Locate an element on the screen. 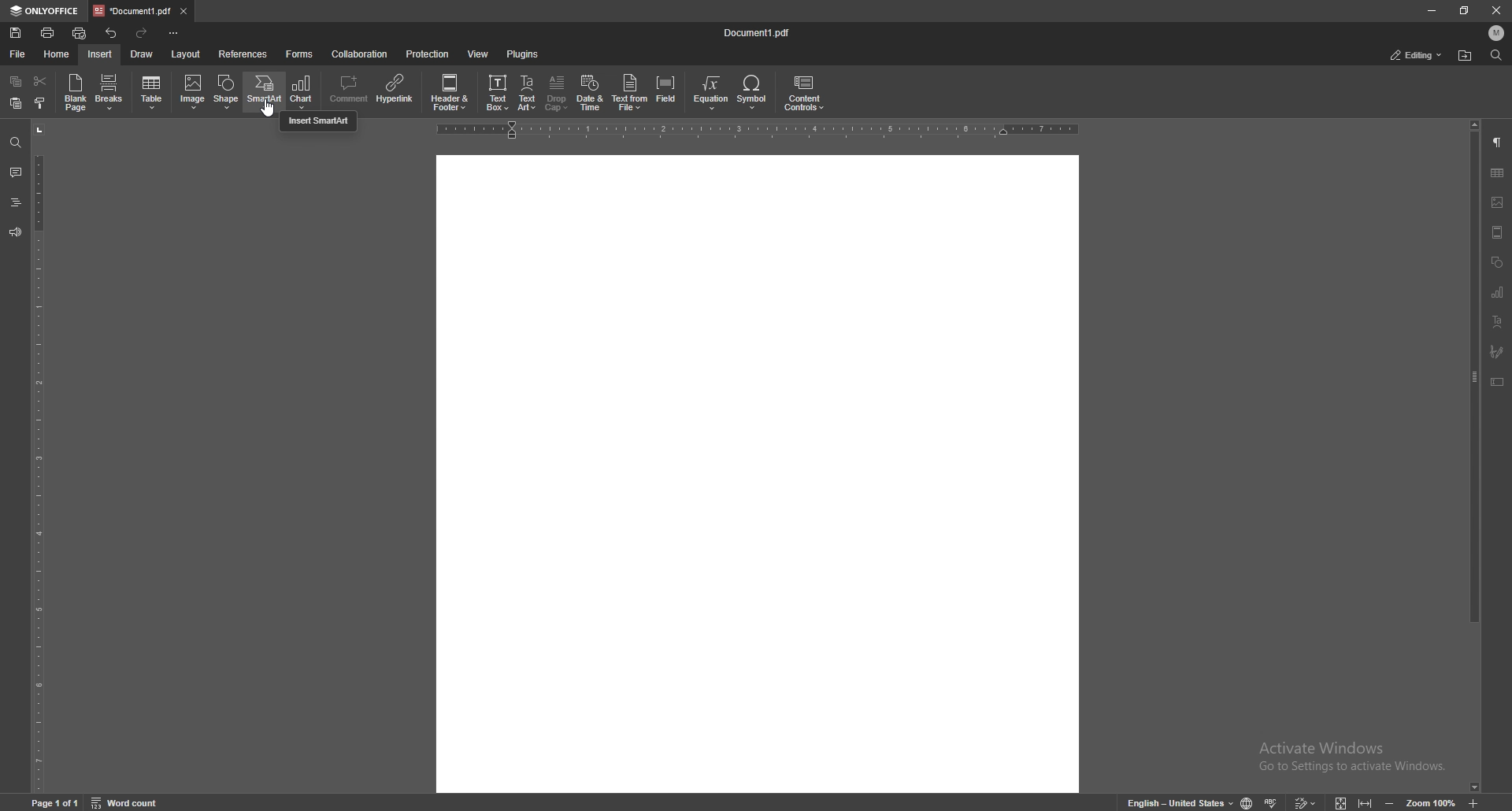 The width and height of the screenshot is (1512, 811). minimize is located at coordinates (1432, 10).